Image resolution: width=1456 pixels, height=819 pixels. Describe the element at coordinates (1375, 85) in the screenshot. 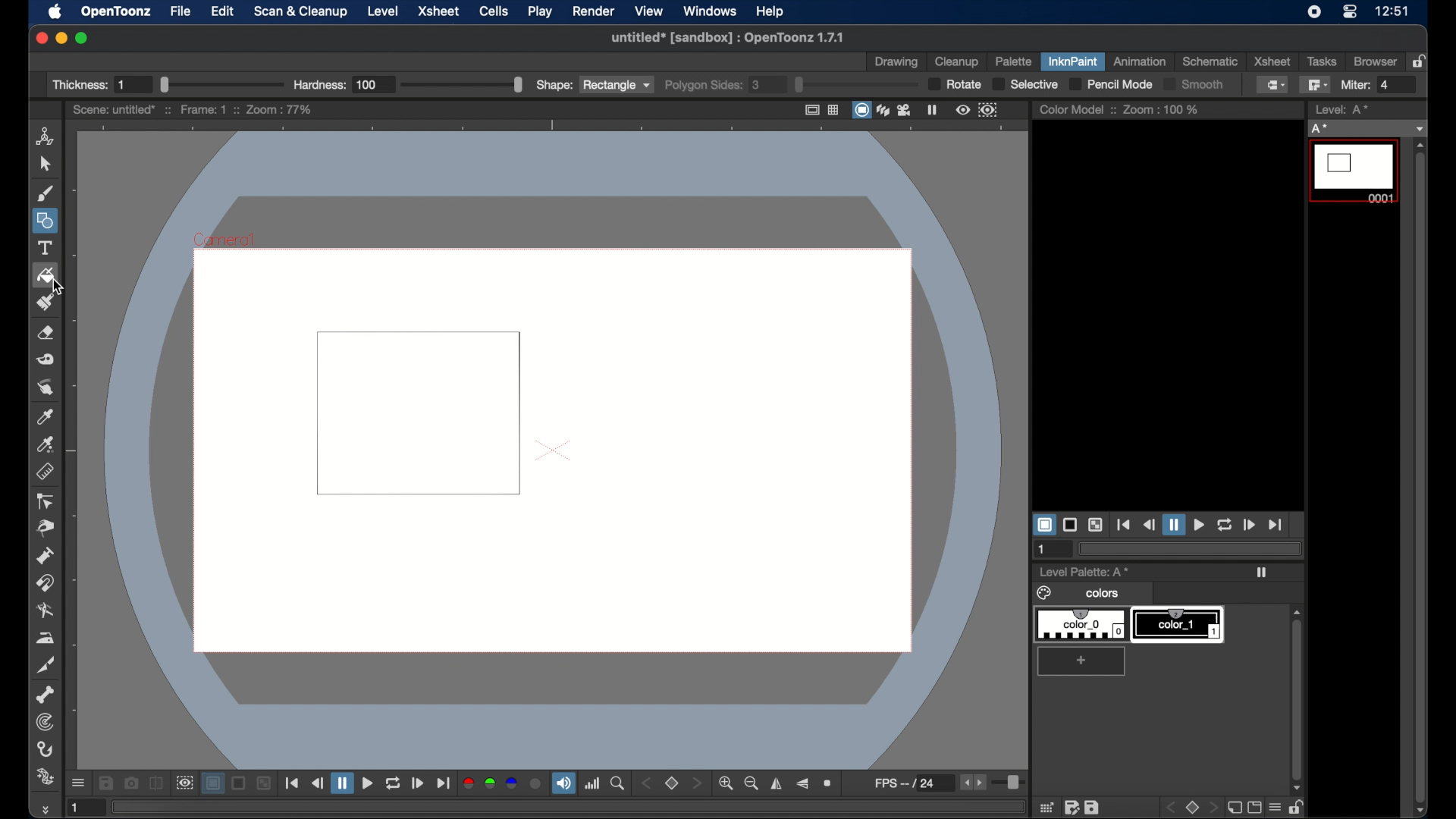

I see `Miter` at that location.